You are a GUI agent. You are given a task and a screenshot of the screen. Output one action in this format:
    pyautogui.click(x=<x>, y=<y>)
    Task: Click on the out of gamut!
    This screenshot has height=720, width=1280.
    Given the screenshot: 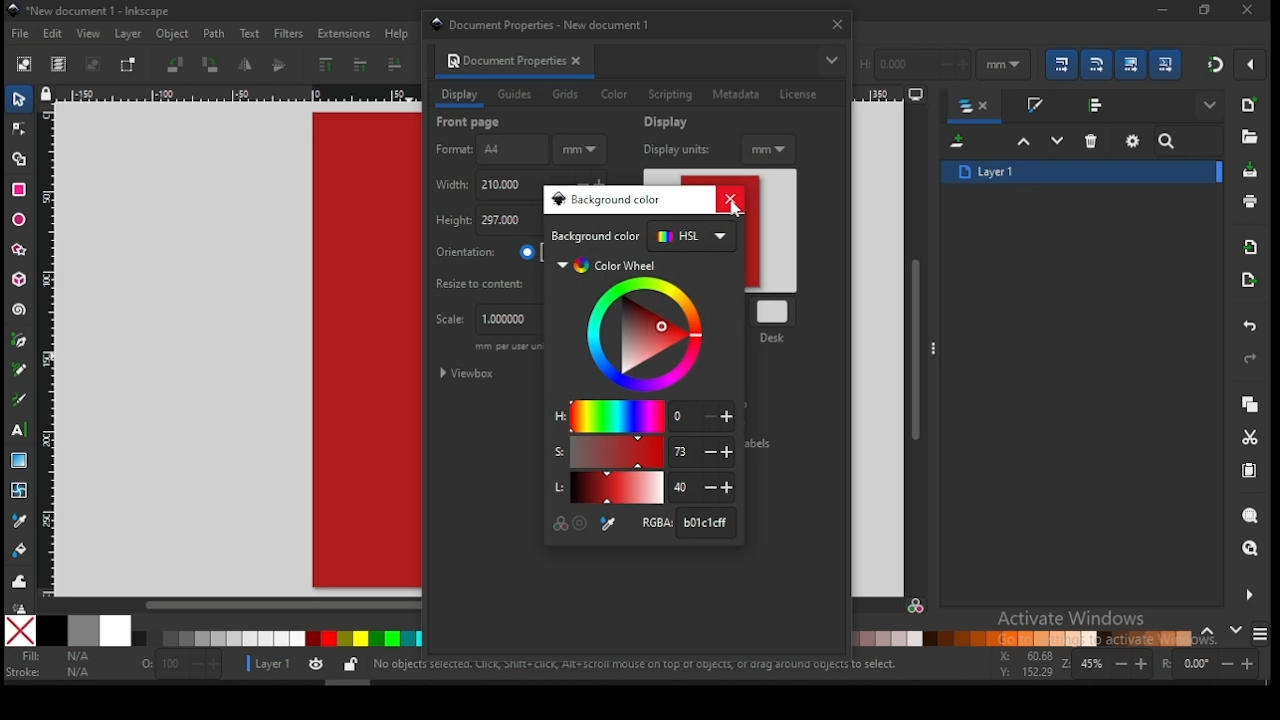 What is the action you would take?
    pyautogui.click(x=580, y=523)
    